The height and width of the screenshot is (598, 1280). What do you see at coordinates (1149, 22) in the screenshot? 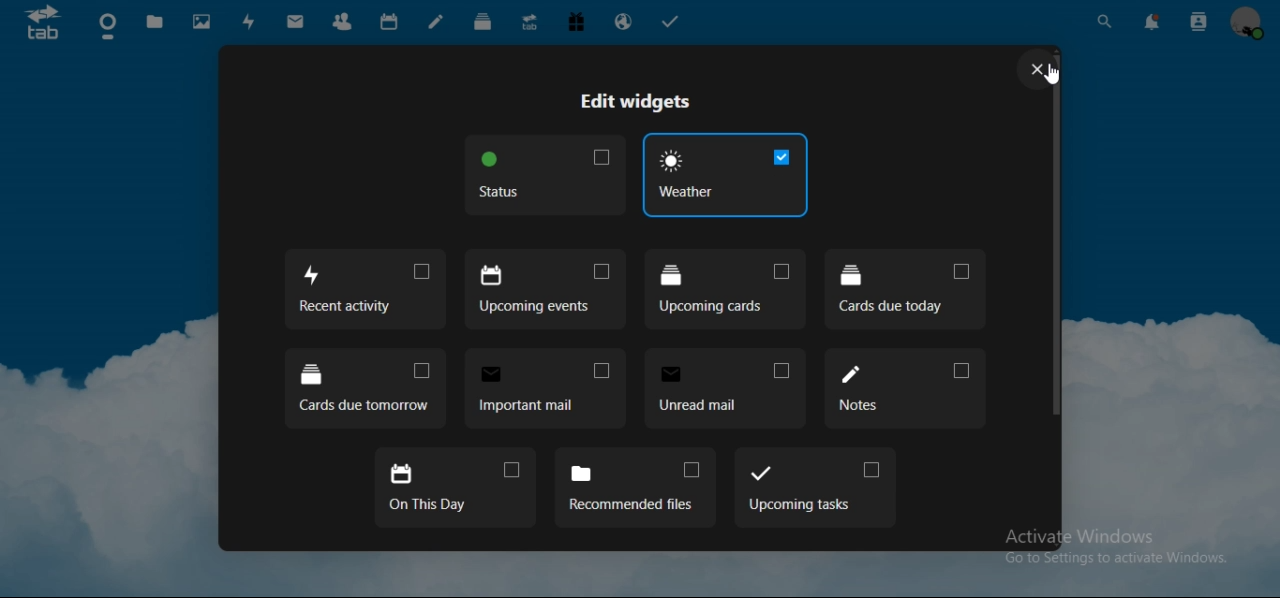
I see `notifications` at bounding box center [1149, 22].